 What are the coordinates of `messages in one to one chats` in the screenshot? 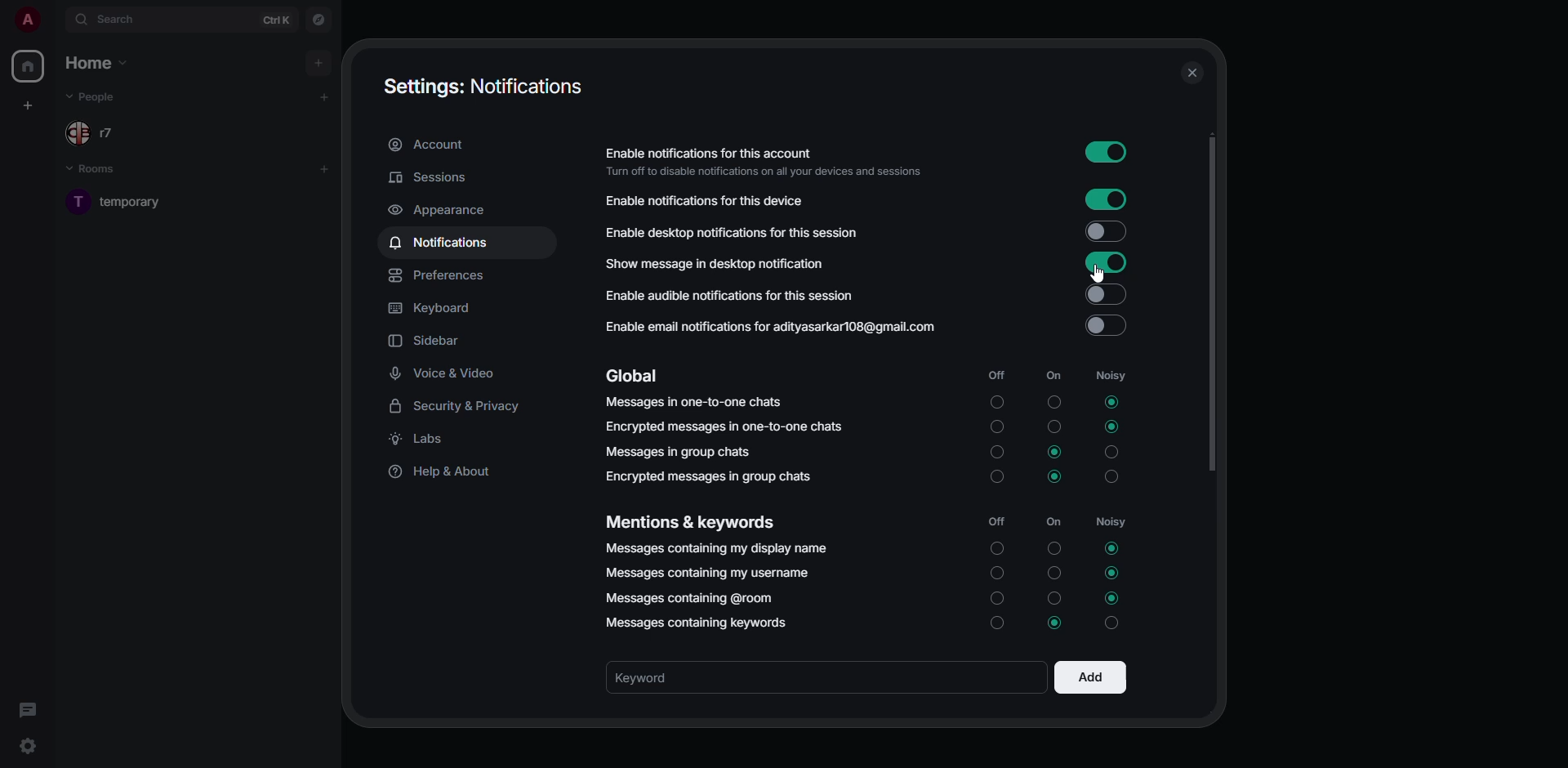 It's located at (697, 405).